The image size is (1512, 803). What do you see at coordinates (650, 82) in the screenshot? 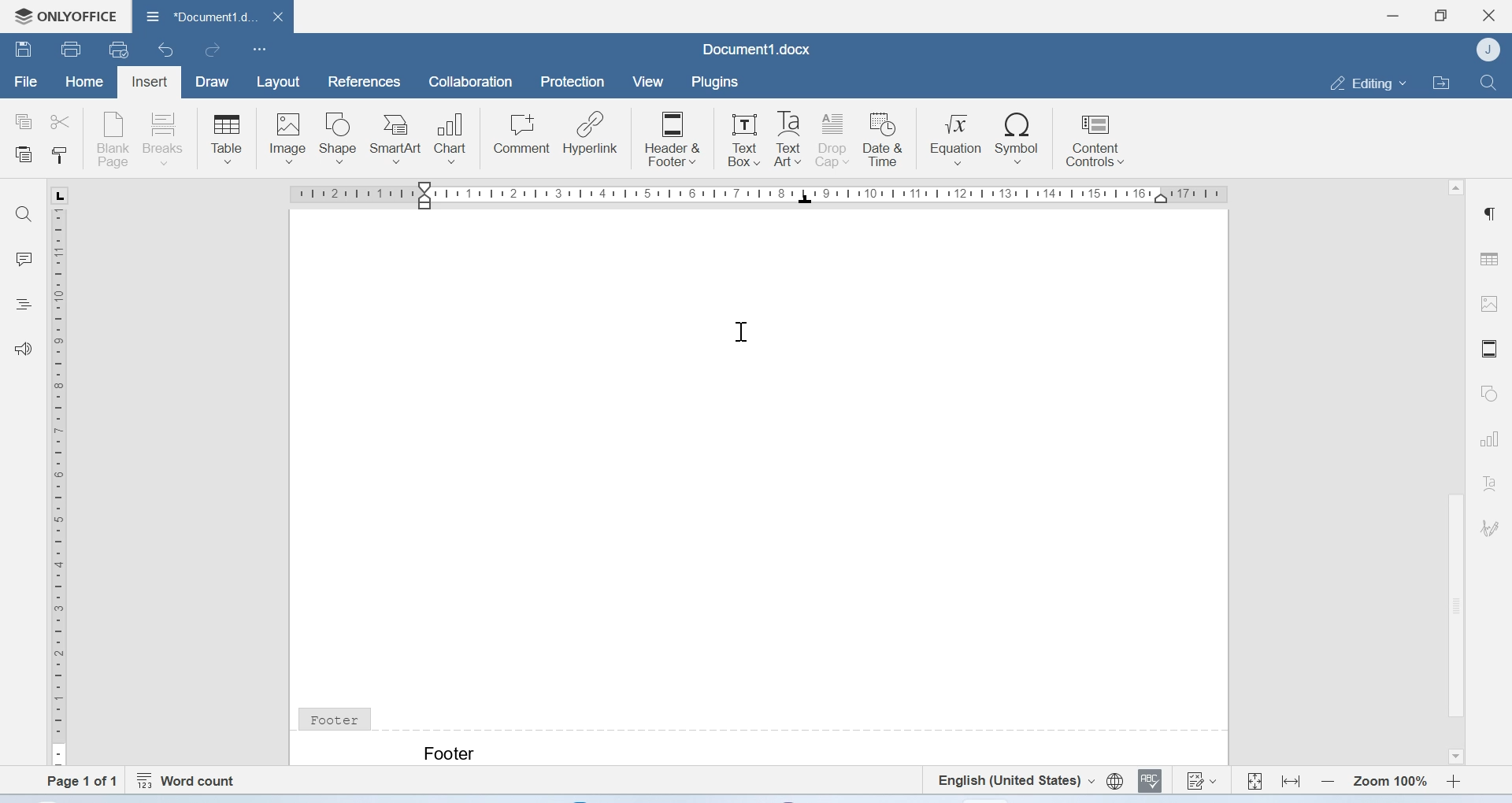
I see `View` at bounding box center [650, 82].